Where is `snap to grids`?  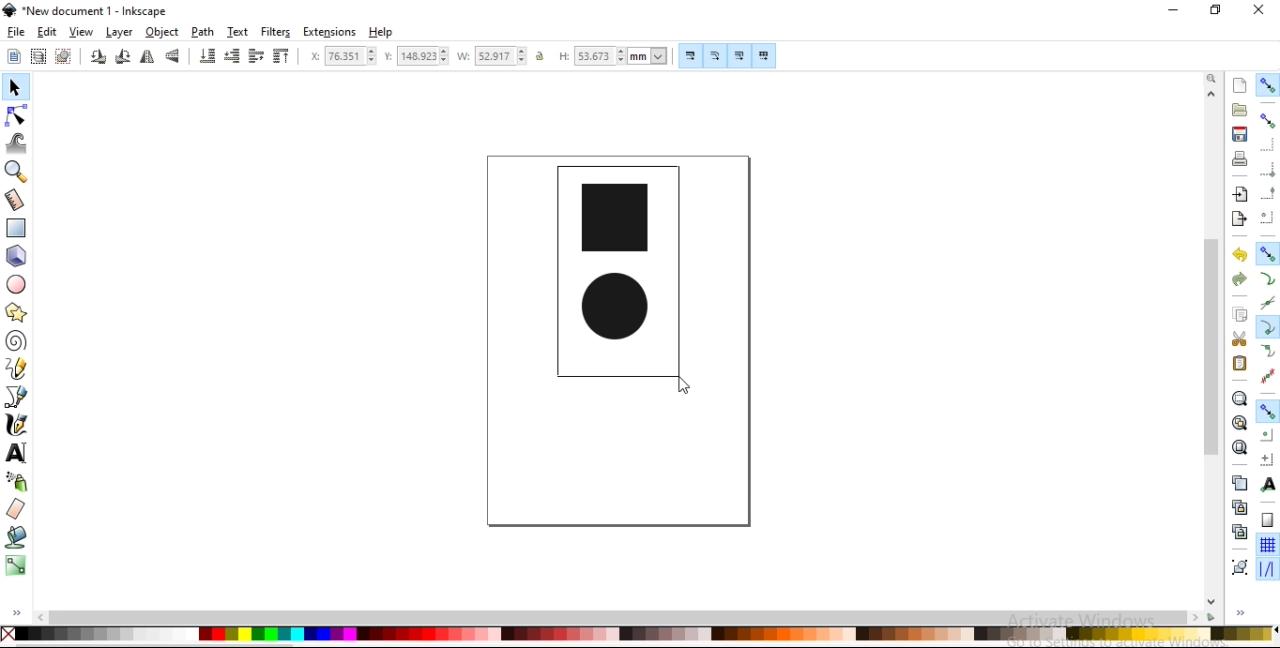
snap to grids is located at coordinates (1267, 544).